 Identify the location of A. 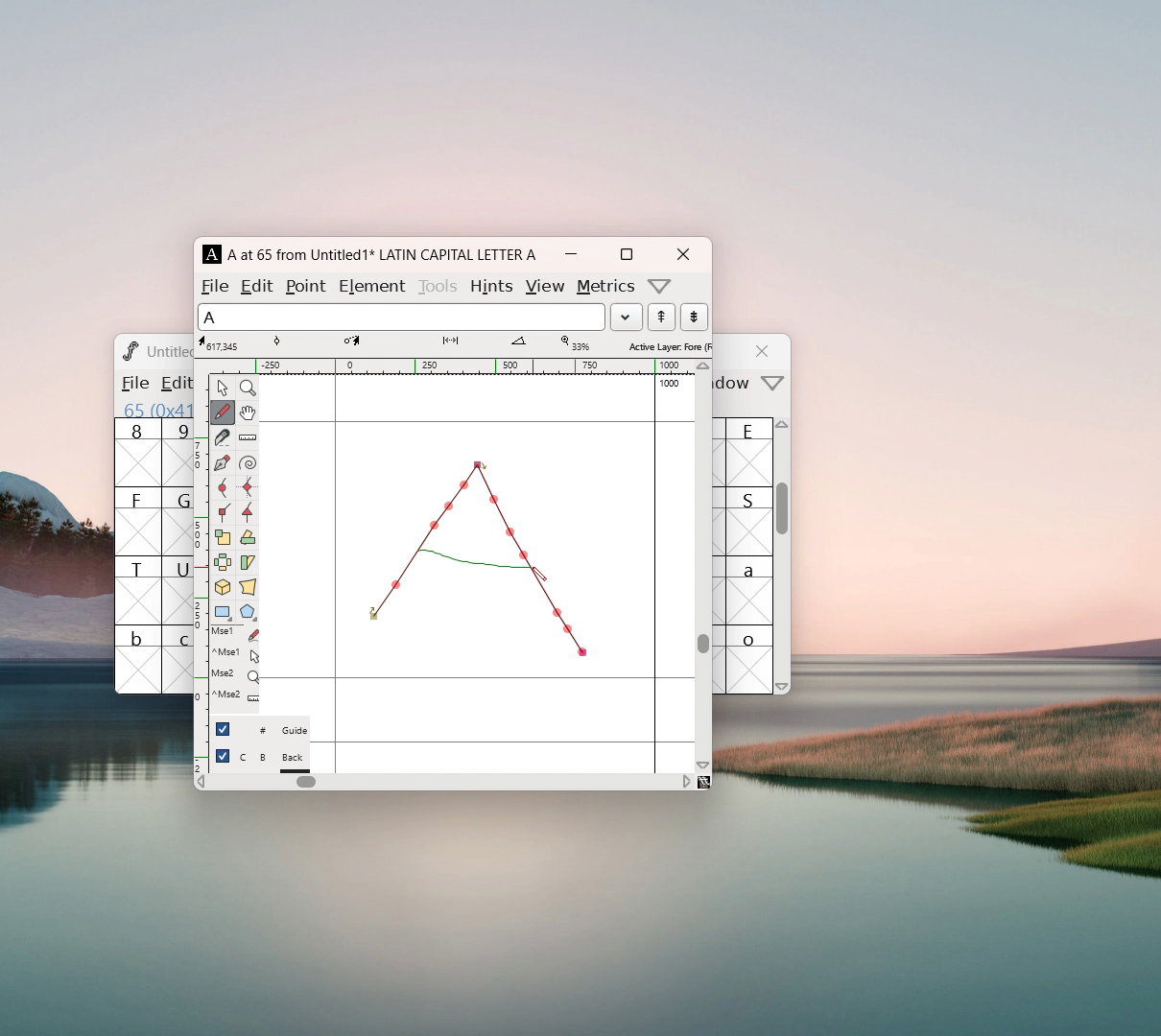
(213, 254).